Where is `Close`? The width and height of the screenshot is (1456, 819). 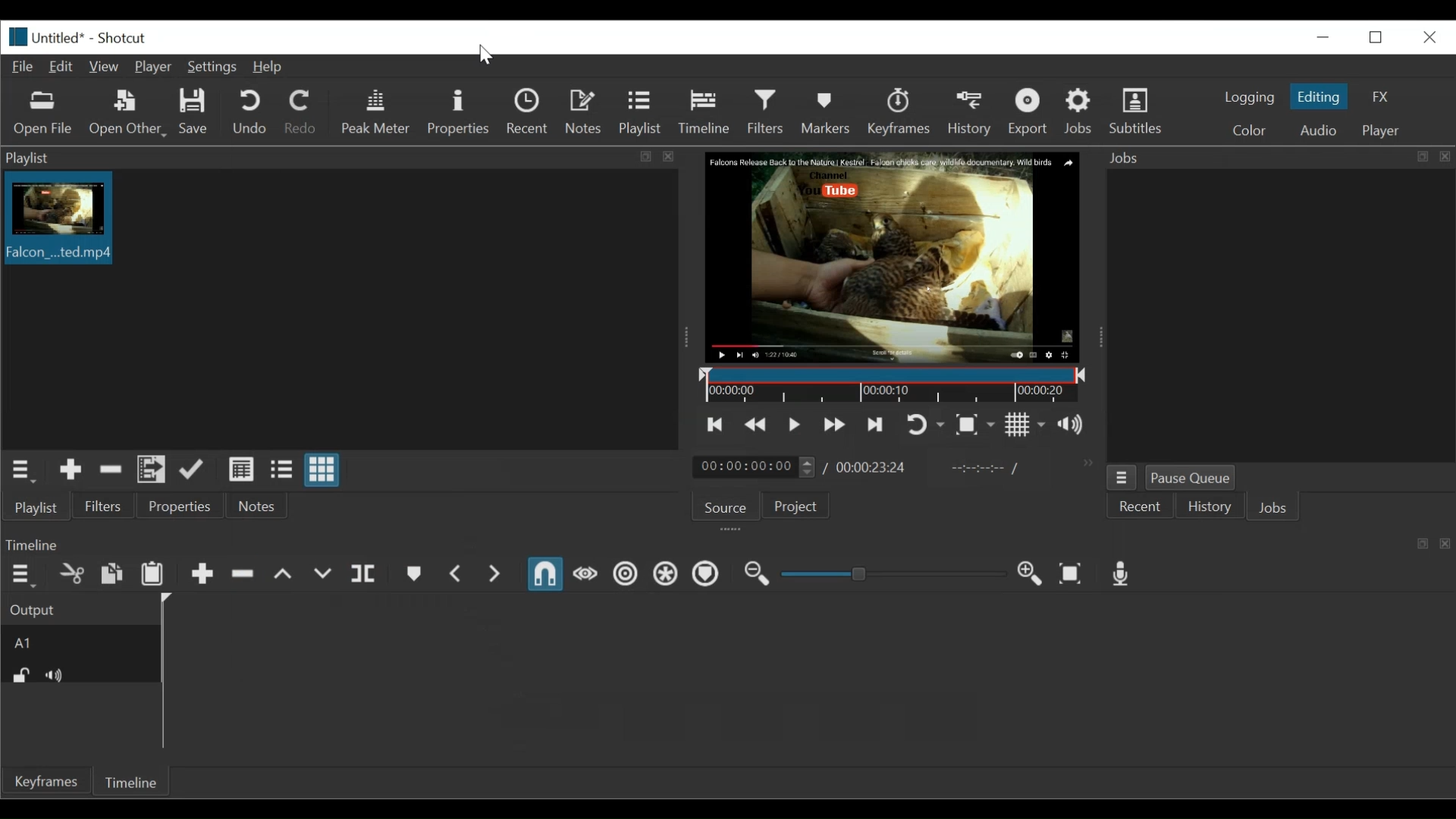
Close is located at coordinates (1427, 37).